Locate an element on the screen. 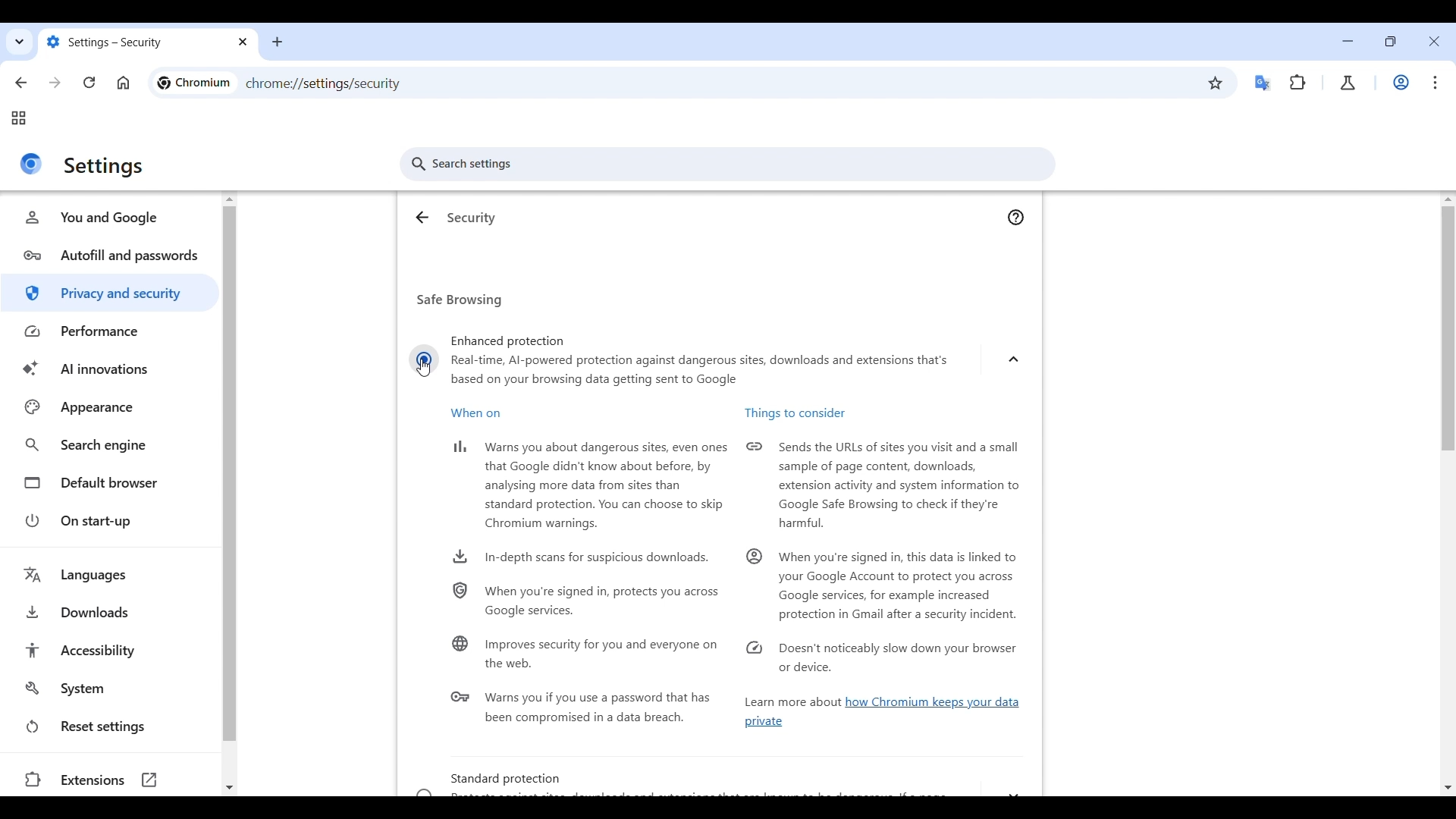 The height and width of the screenshot is (819, 1456). settings- security is located at coordinates (133, 42).